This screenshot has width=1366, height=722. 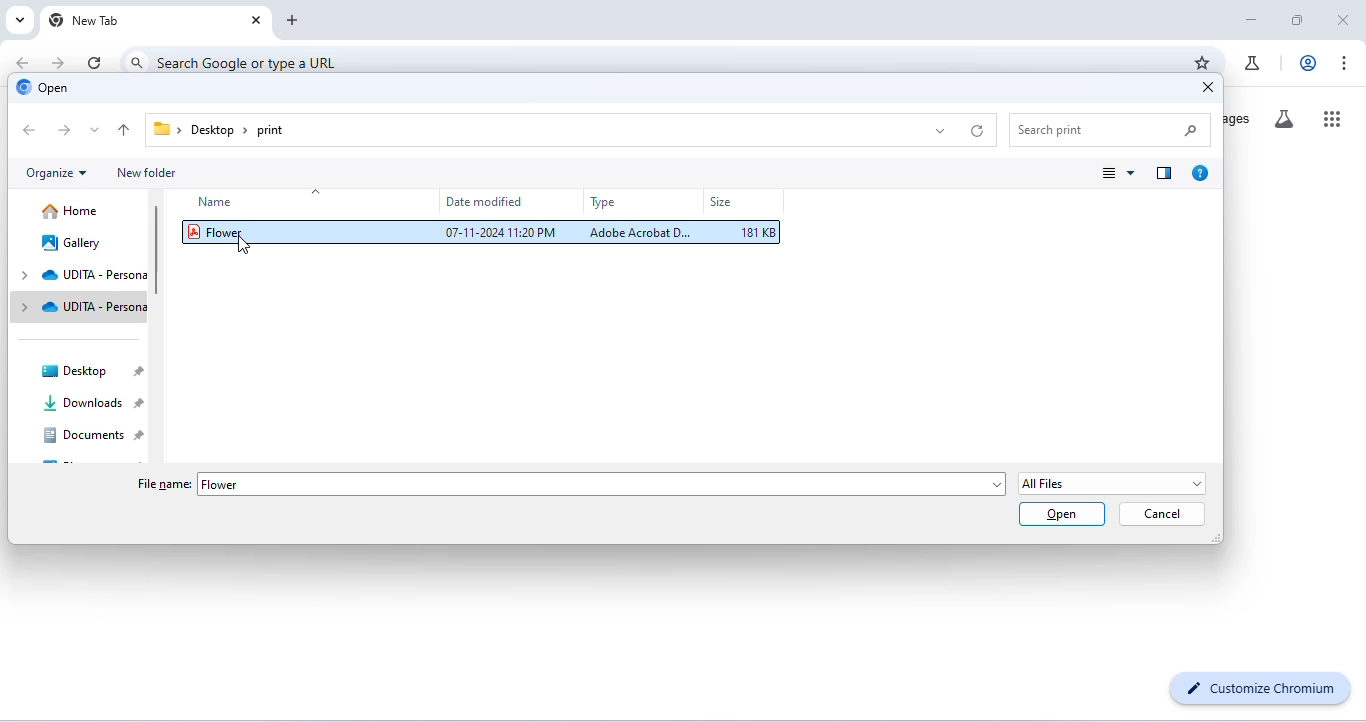 I want to click on open, so click(x=43, y=88).